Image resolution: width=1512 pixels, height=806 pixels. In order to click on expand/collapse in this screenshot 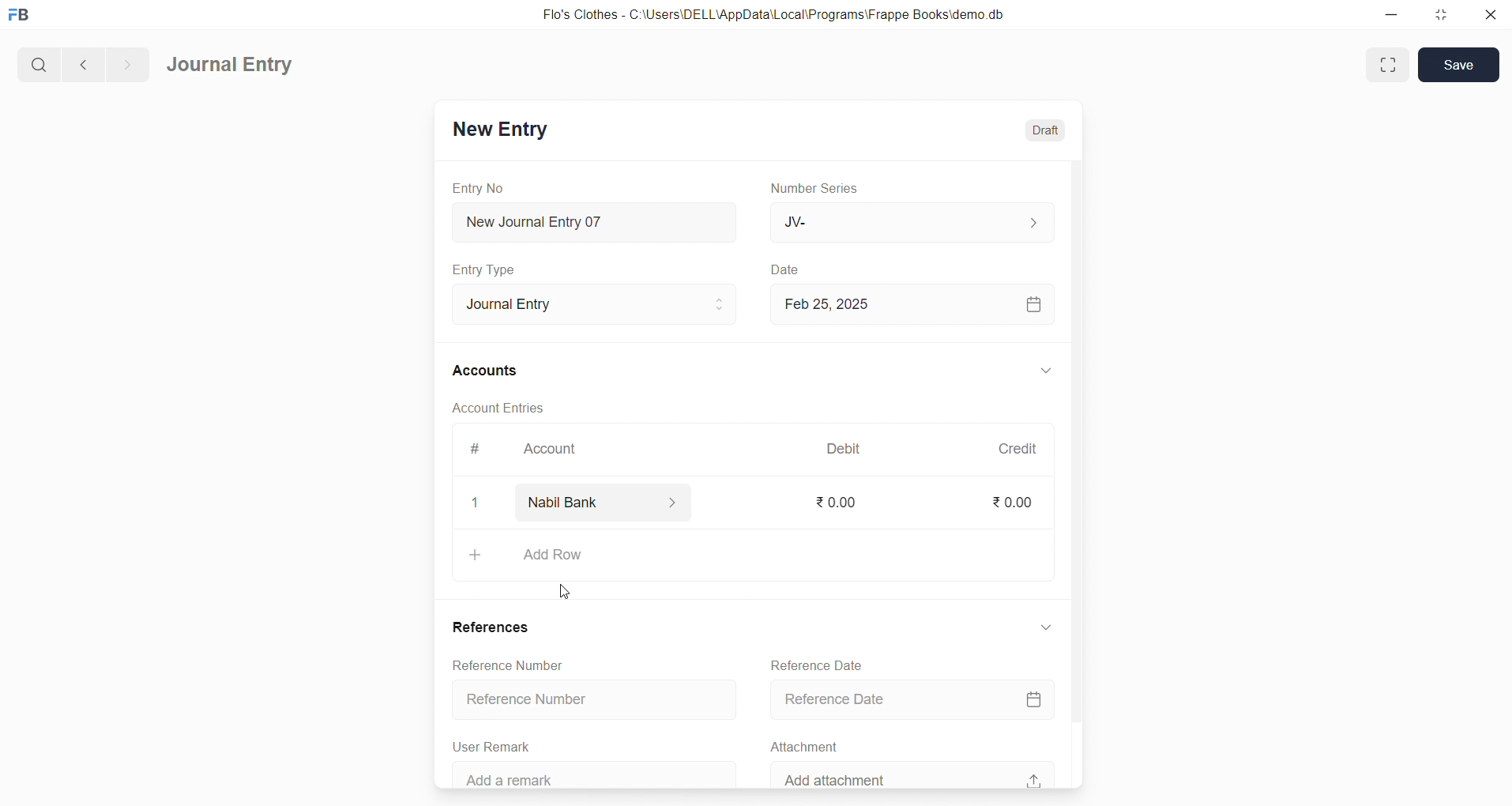, I will do `click(1046, 632)`.